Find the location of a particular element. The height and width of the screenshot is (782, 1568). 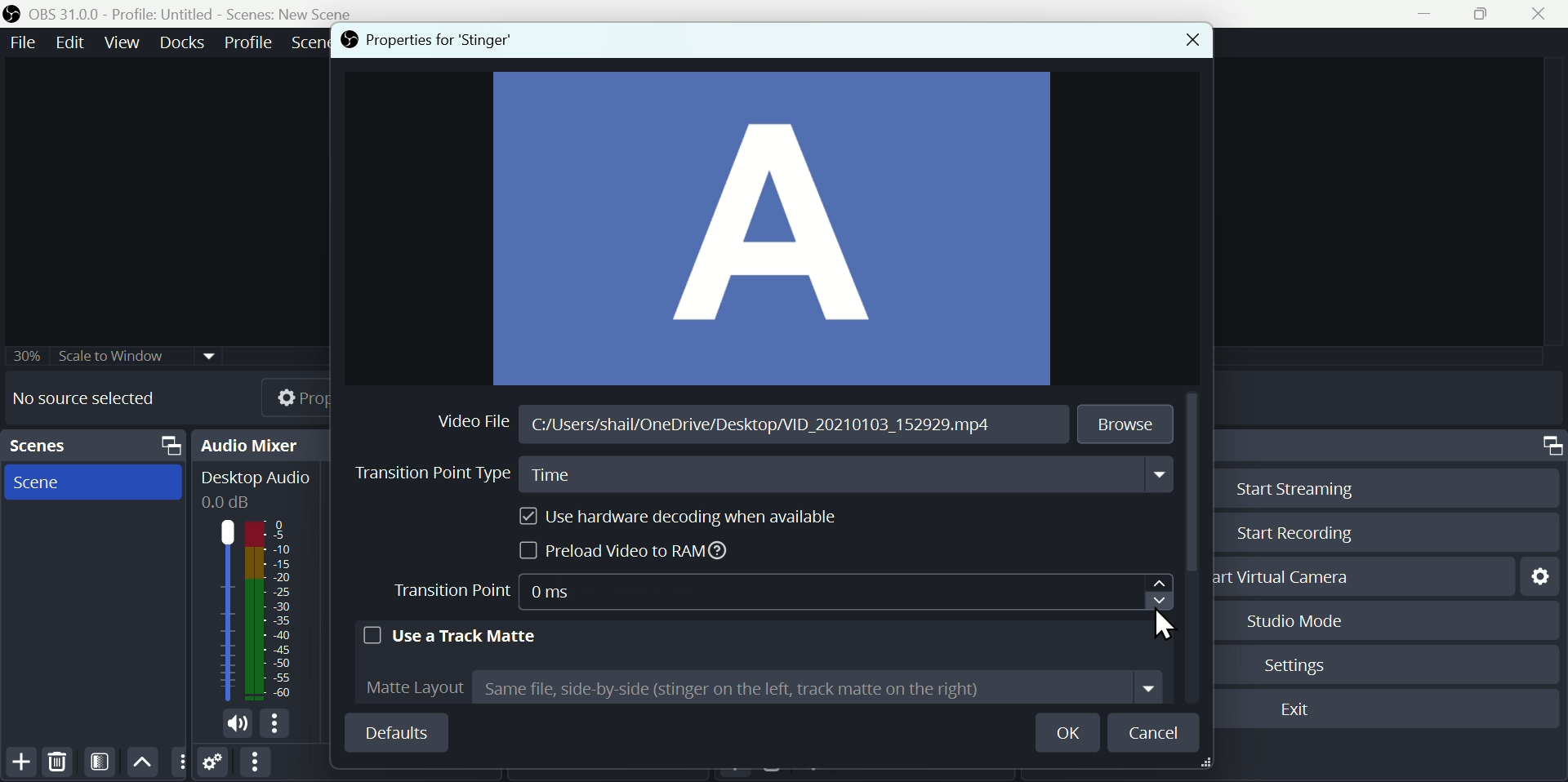

Video file is located at coordinates (476, 418).